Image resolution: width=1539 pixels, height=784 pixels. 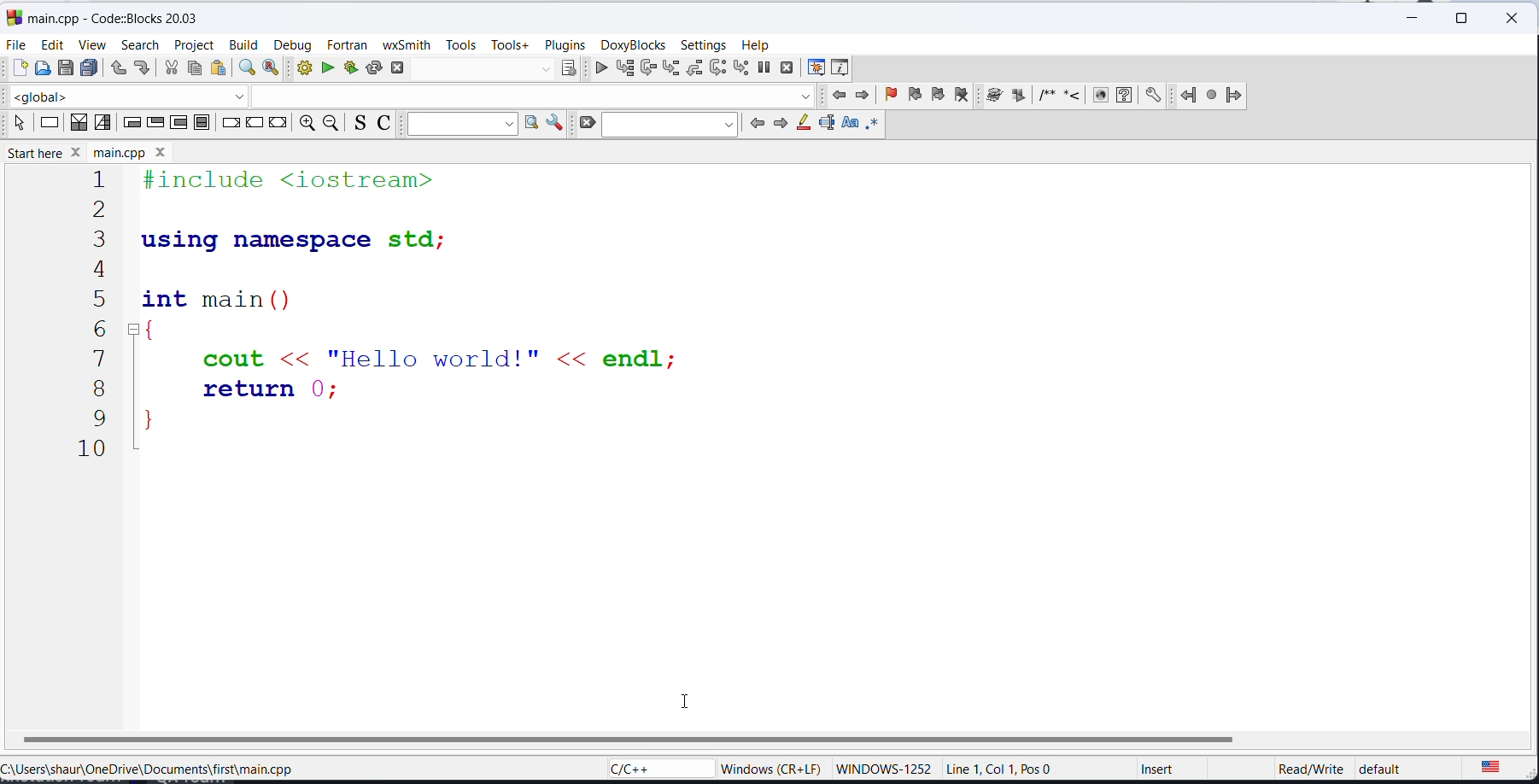 What do you see at coordinates (19, 67) in the screenshot?
I see `NEW FILE` at bounding box center [19, 67].